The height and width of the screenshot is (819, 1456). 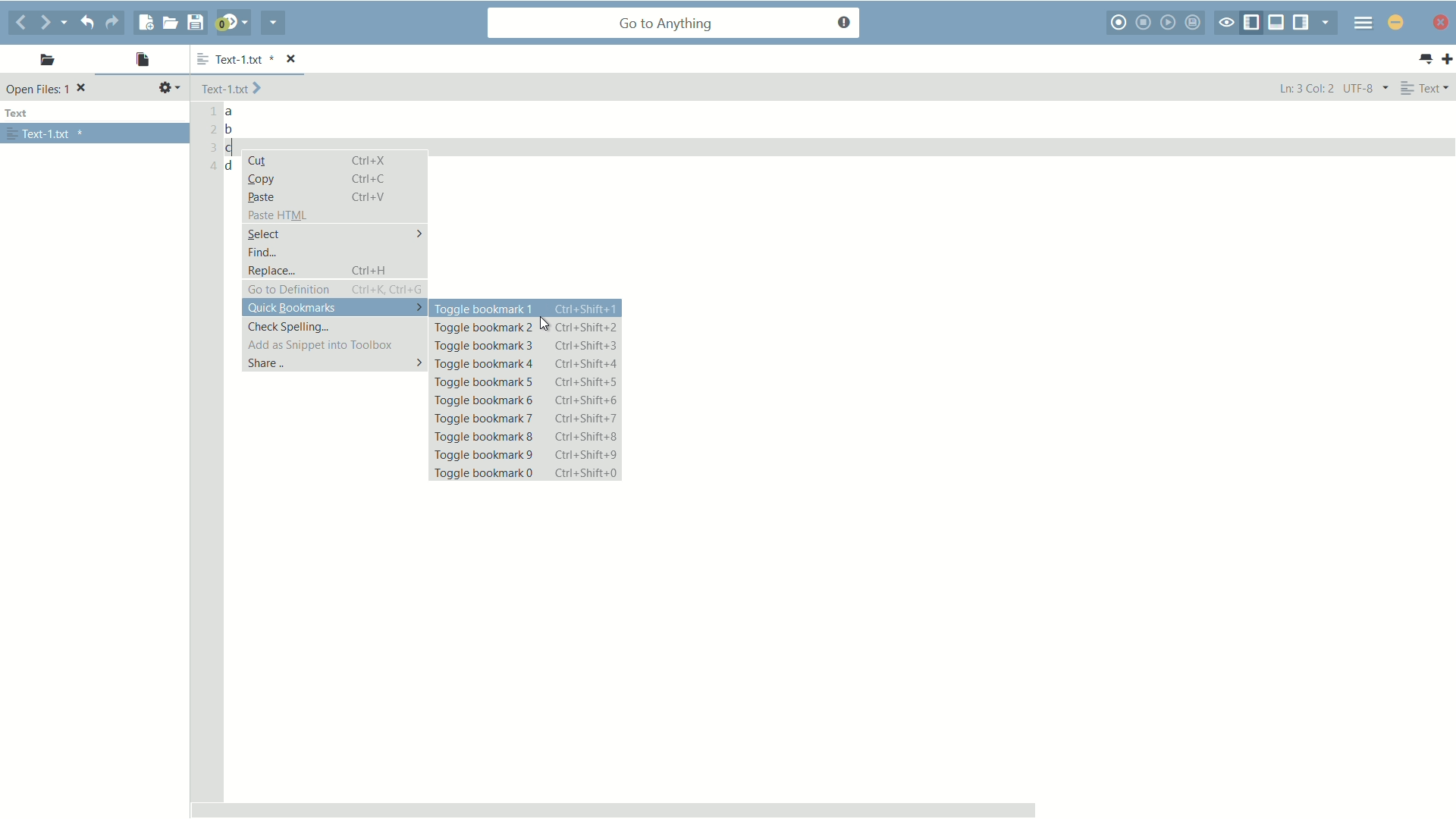 What do you see at coordinates (278, 215) in the screenshot?
I see `paste html` at bounding box center [278, 215].